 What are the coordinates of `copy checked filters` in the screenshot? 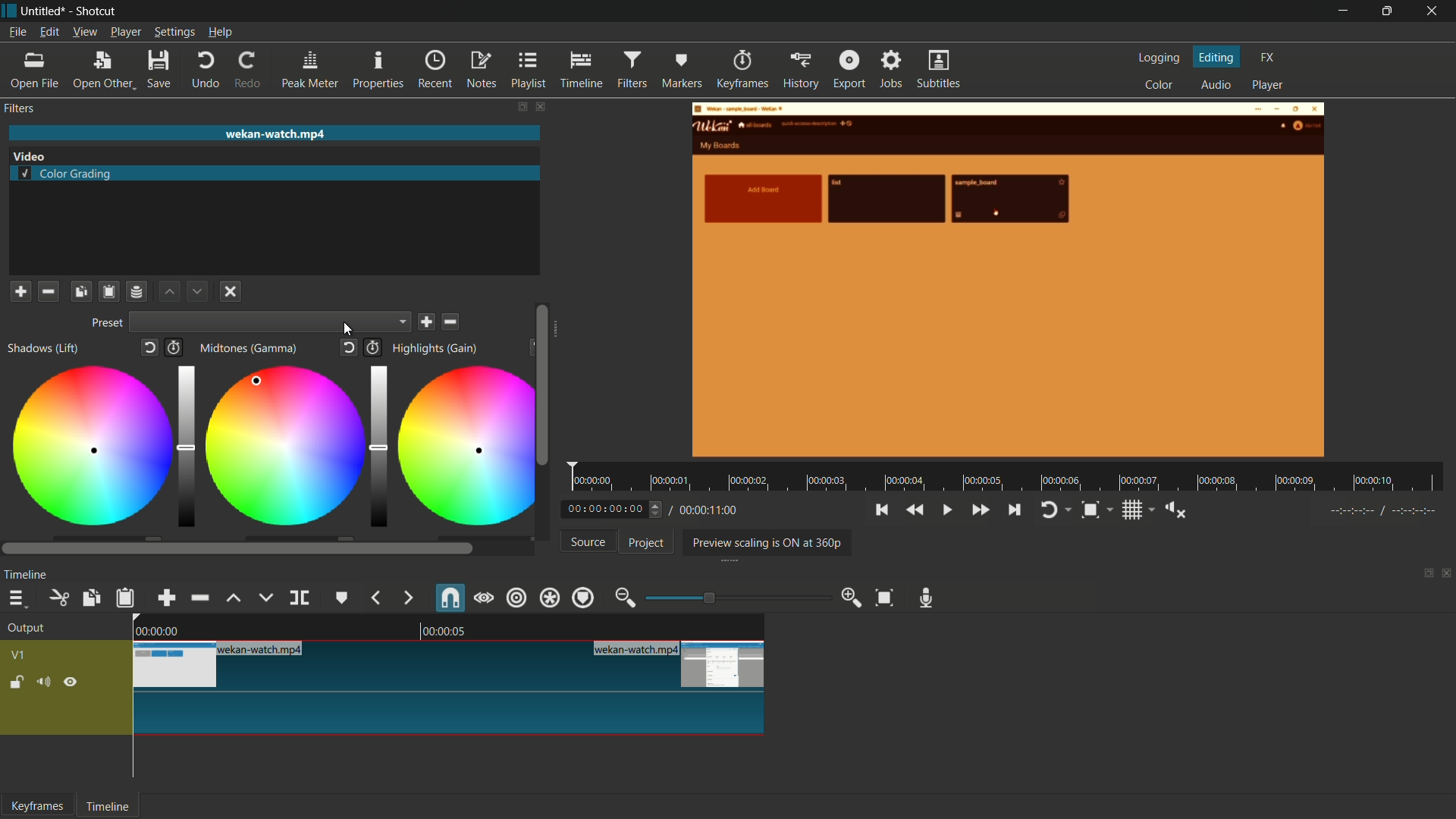 It's located at (80, 293).